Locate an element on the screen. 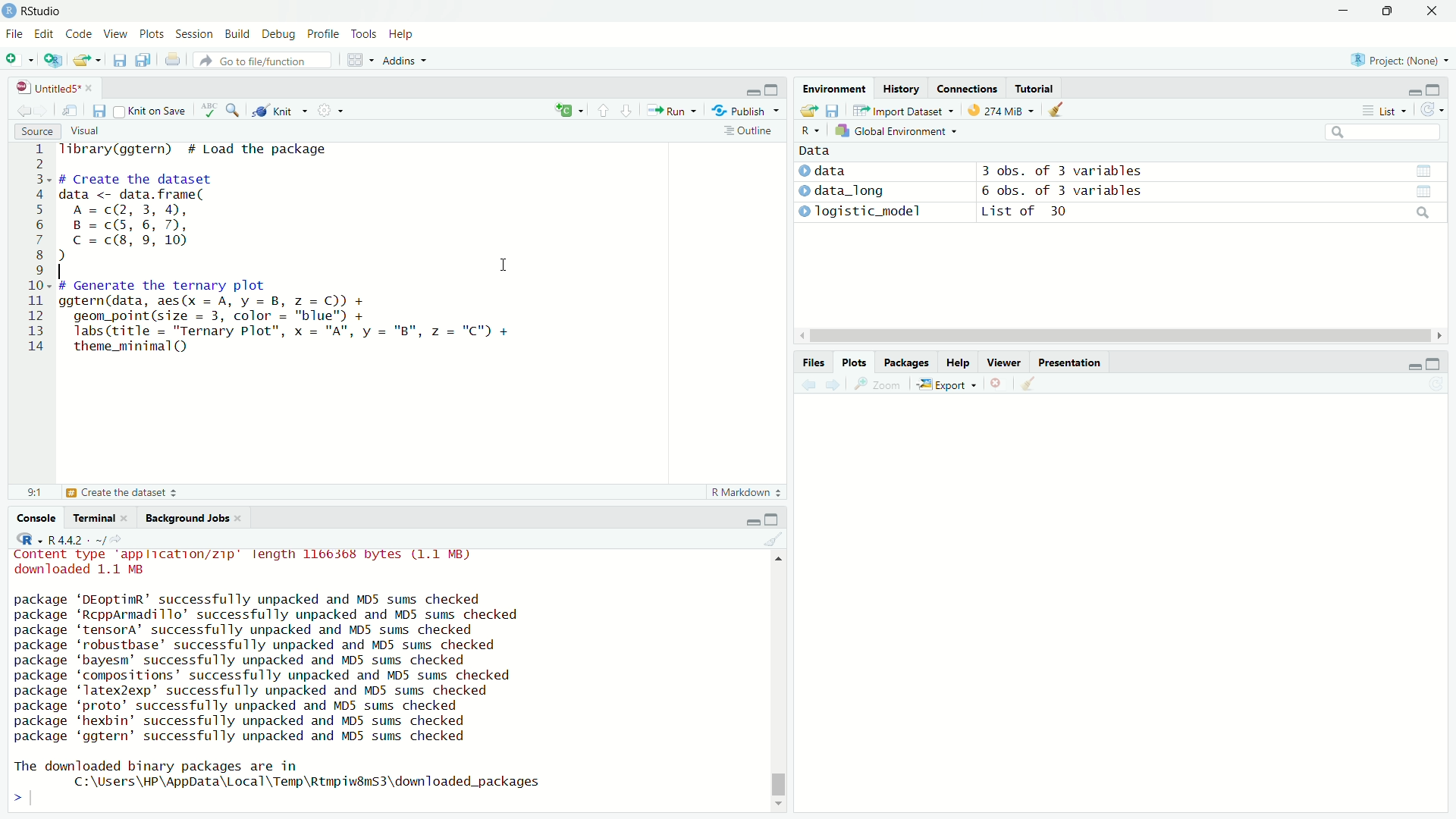  RStudio is located at coordinates (36, 10).